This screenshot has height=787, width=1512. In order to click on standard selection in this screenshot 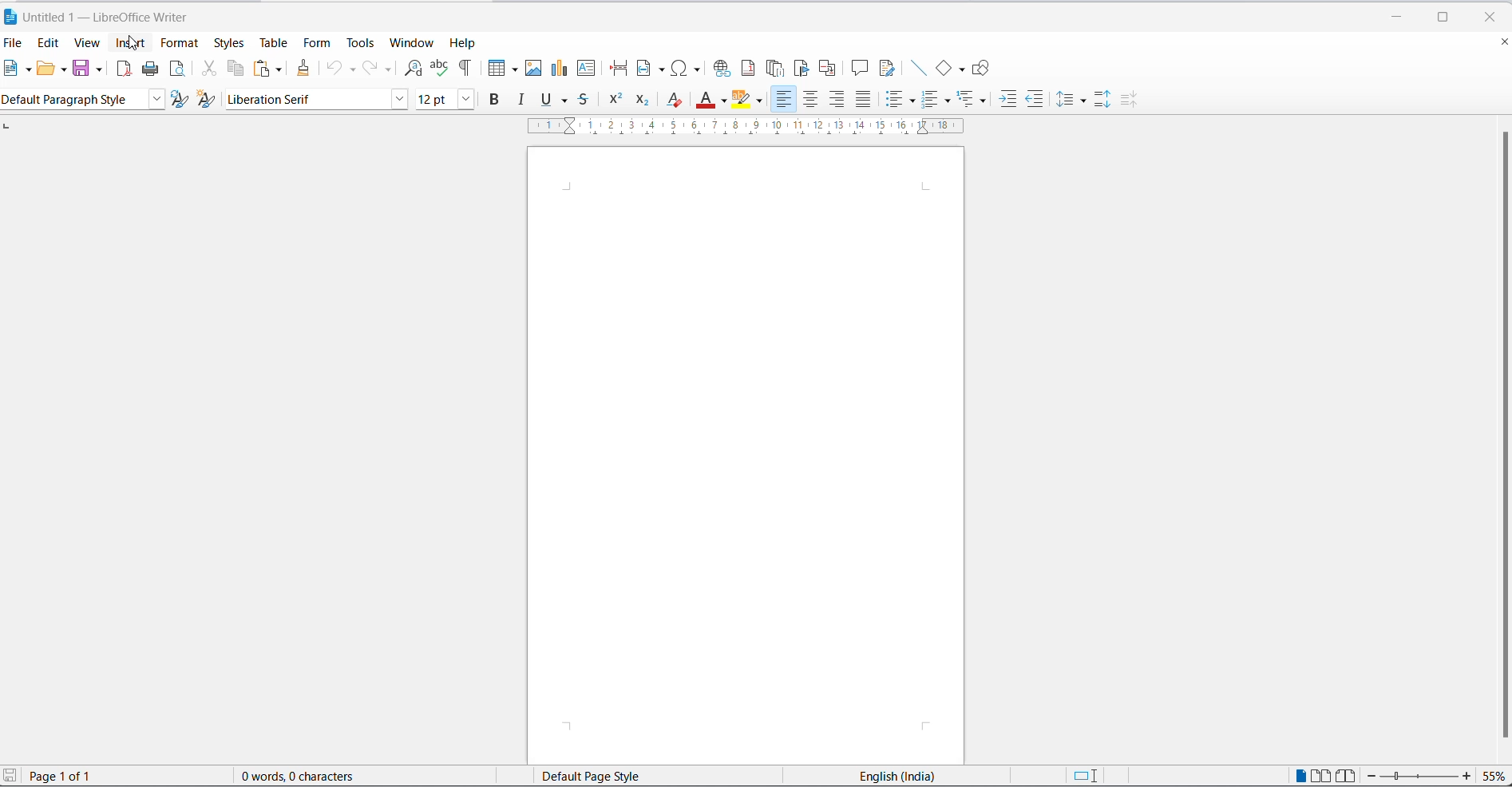, I will do `click(1088, 777)`.